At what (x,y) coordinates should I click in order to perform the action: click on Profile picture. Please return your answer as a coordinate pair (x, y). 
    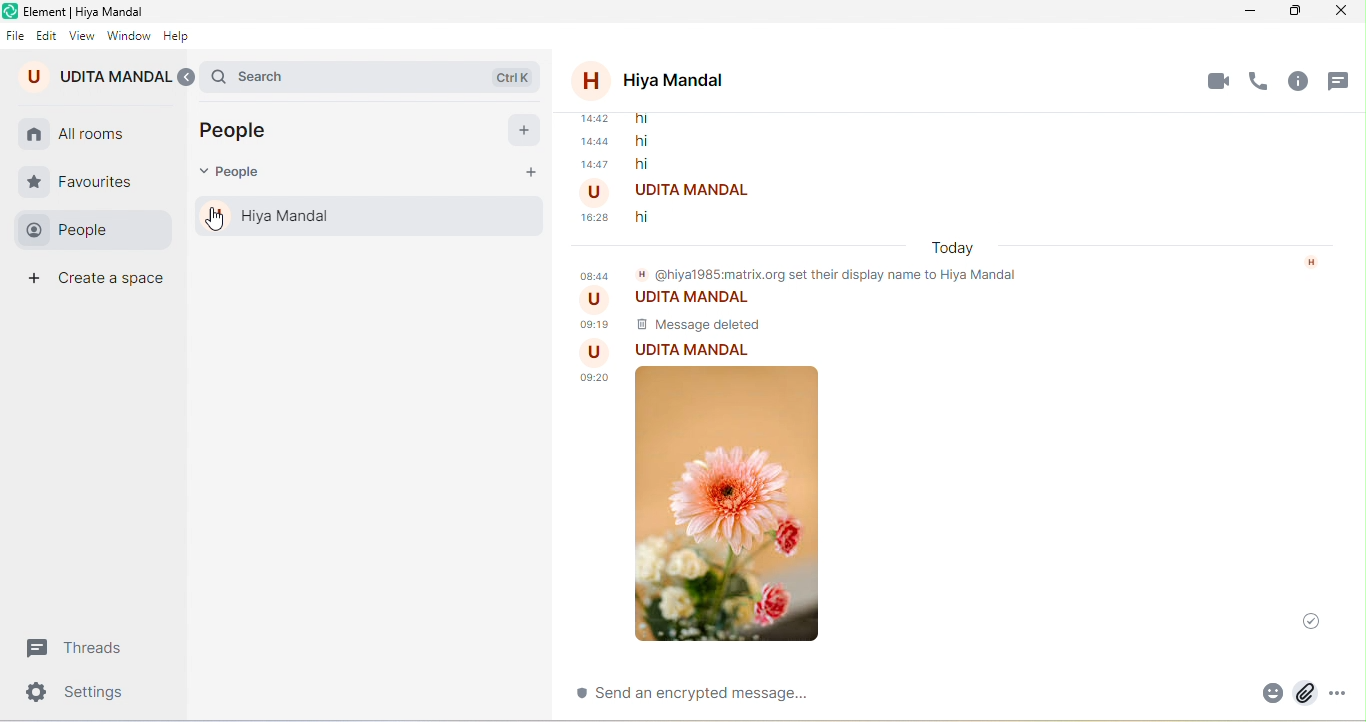
    Looking at the image, I should click on (595, 194).